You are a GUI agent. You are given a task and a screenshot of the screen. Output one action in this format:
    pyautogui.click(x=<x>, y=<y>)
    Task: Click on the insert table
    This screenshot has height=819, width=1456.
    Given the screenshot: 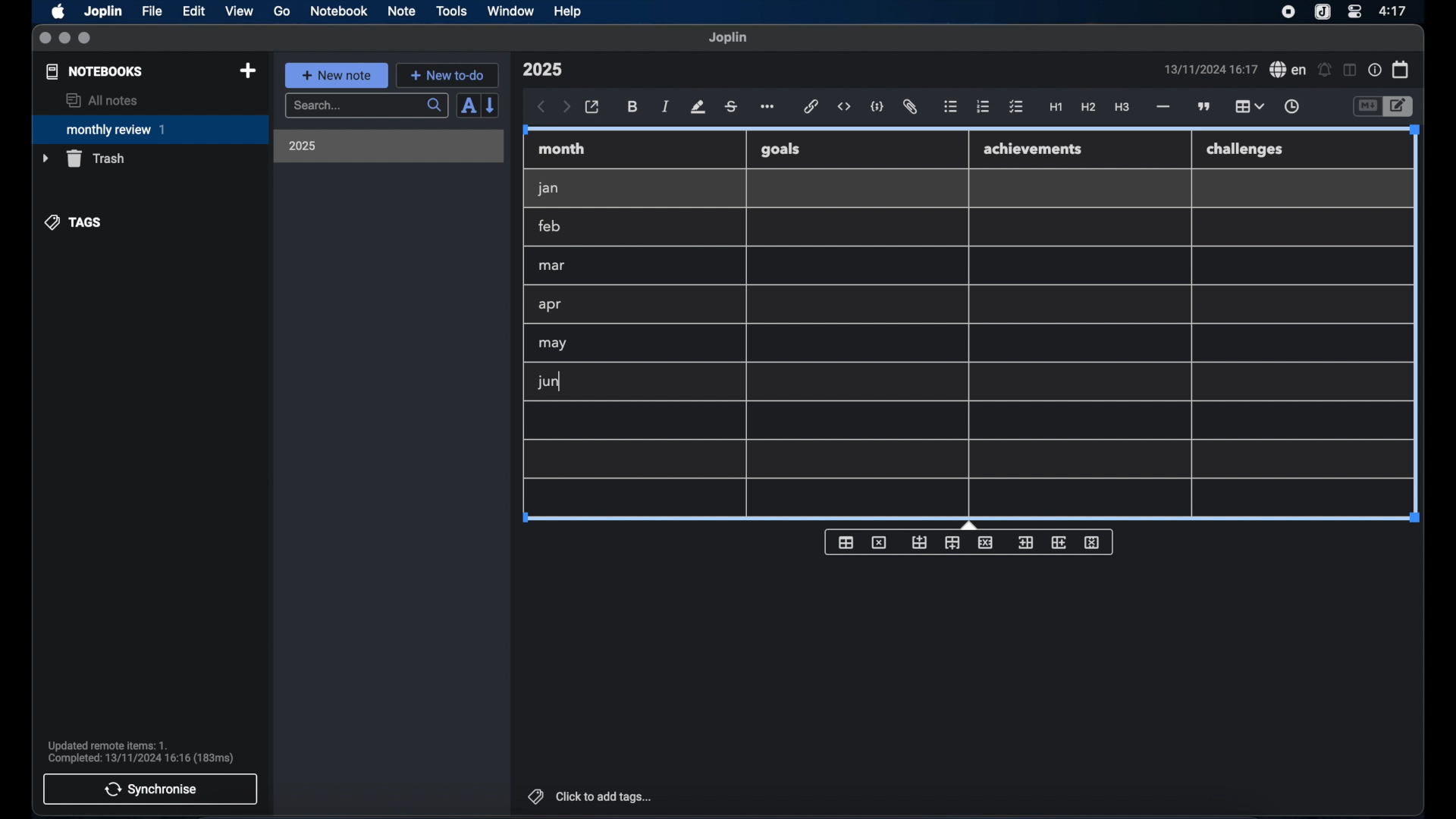 What is the action you would take?
    pyautogui.click(x=846, y=542)
    